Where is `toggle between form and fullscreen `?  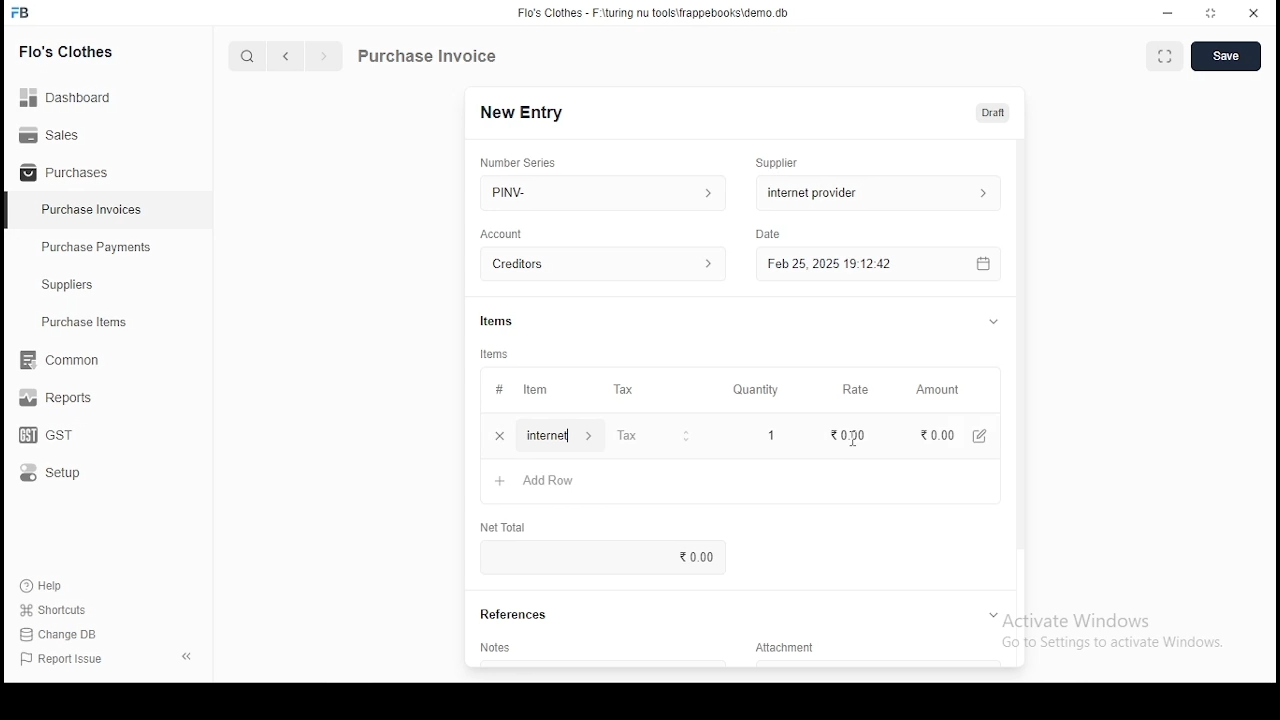 toggle between form and fullscreen  is located at coordinates (1166, 58).